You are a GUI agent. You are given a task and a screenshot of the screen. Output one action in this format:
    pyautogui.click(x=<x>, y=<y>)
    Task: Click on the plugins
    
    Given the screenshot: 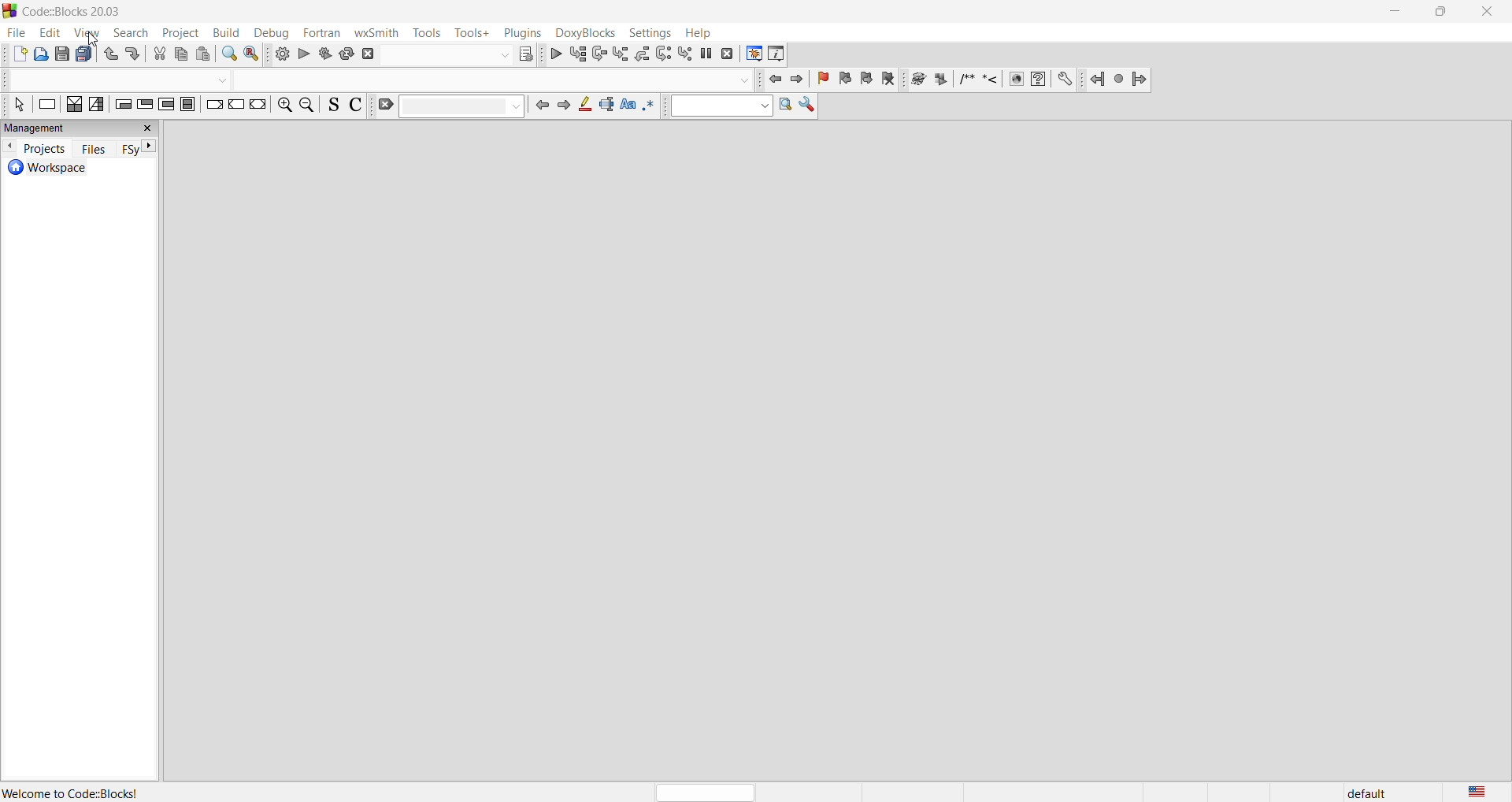 What is the action you would take?
    pyautogui.click(x=521, y=32)
    